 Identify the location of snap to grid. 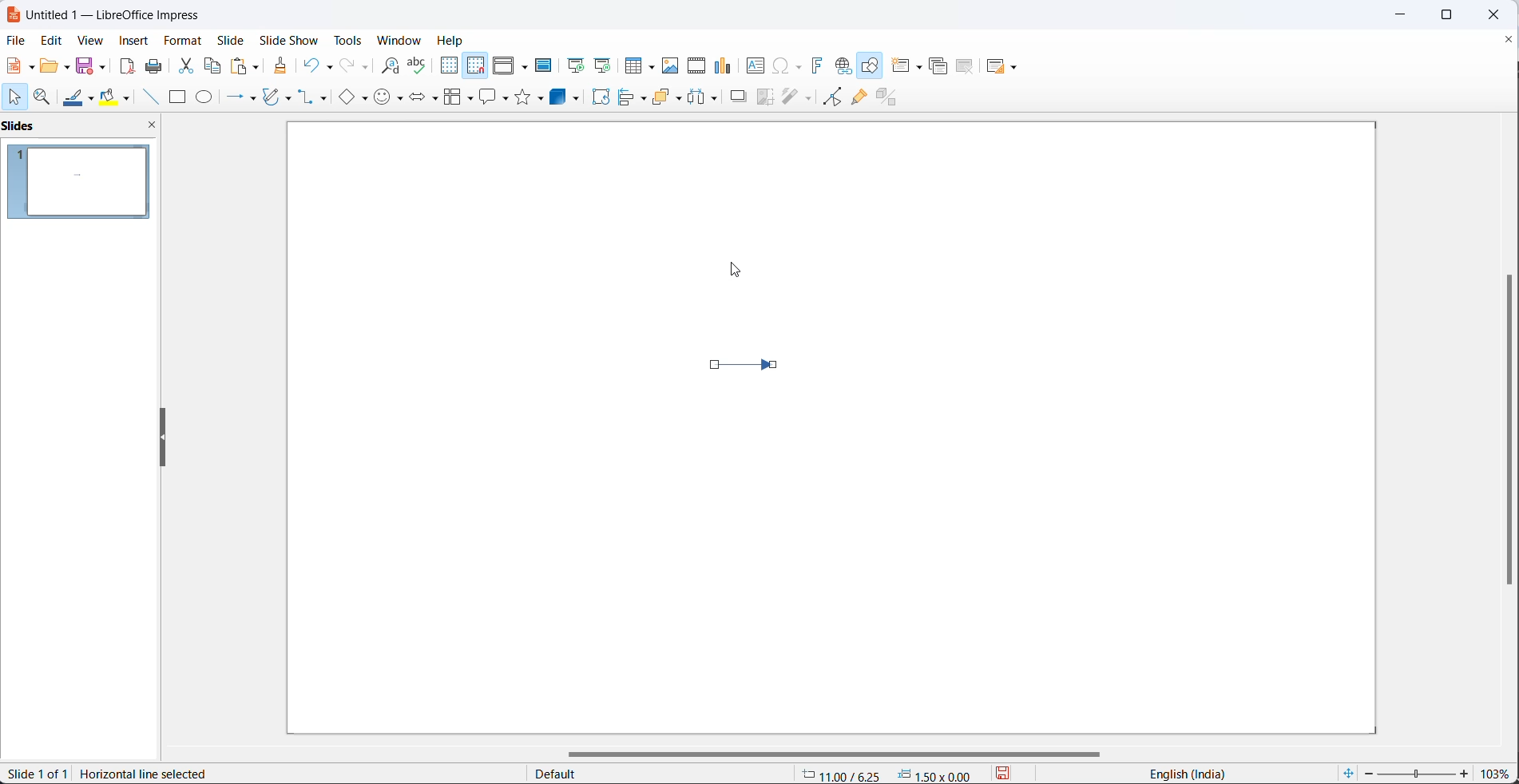
(474, 65).